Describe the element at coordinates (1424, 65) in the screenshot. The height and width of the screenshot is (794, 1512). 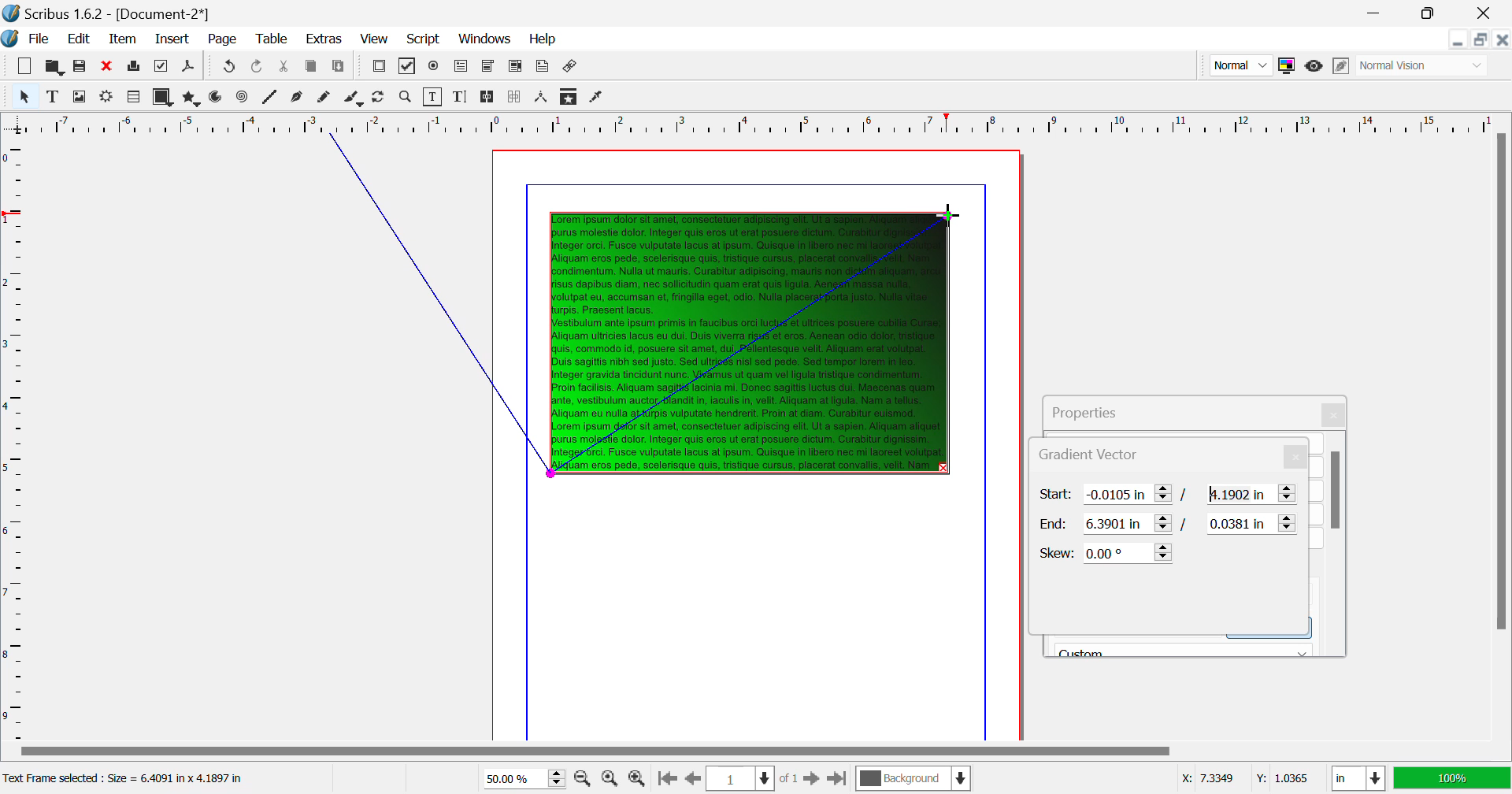
I see `Display Visual Appearance` at that location.